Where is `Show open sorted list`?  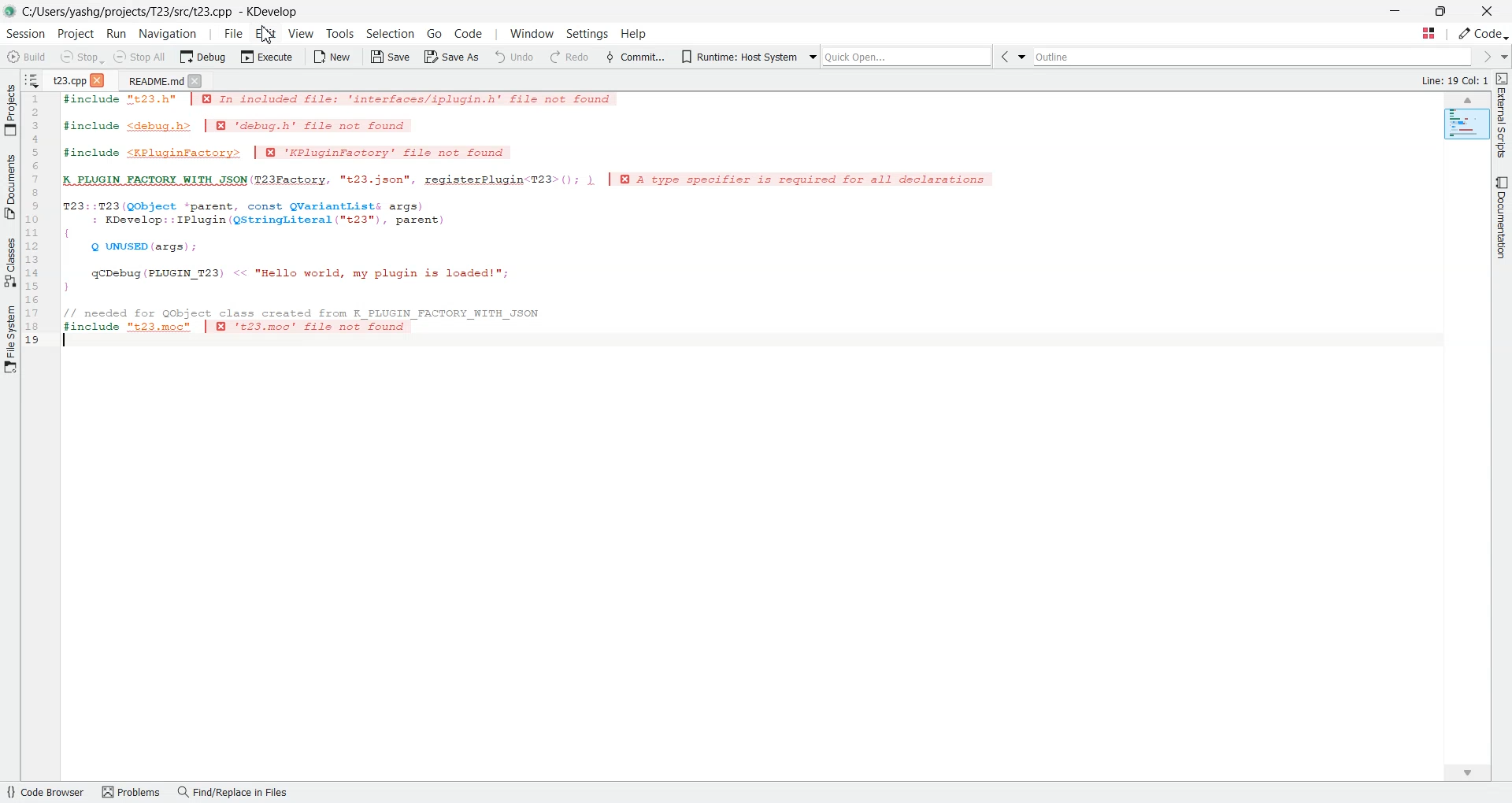 Show open sorted list is located at coordinates (32, 79).